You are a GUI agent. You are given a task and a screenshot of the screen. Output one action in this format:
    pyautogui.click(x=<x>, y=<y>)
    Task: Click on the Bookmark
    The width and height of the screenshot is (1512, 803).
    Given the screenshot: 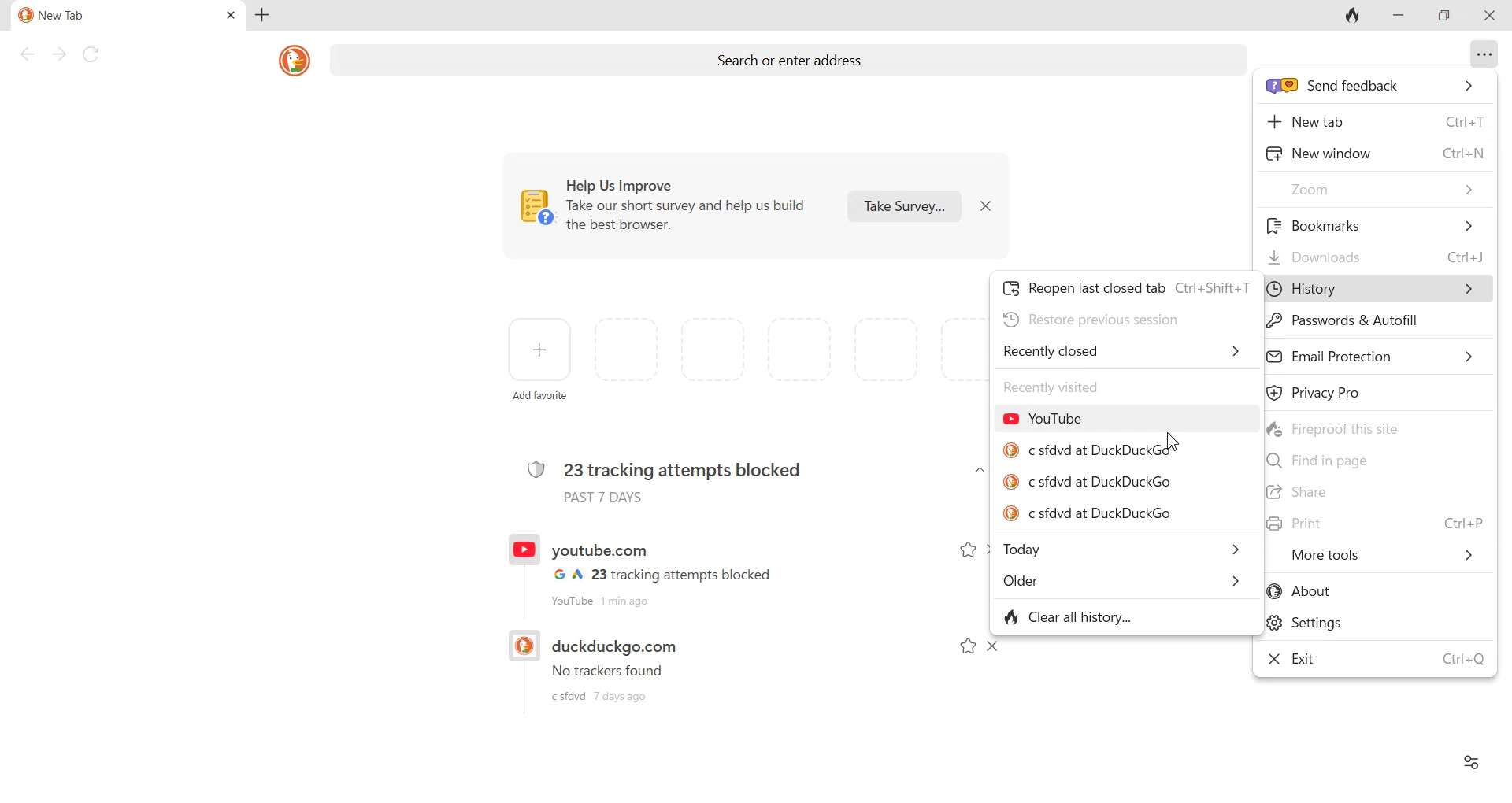 What is the action you would take?
    pyautogui.click(x=1374, y=225)
    